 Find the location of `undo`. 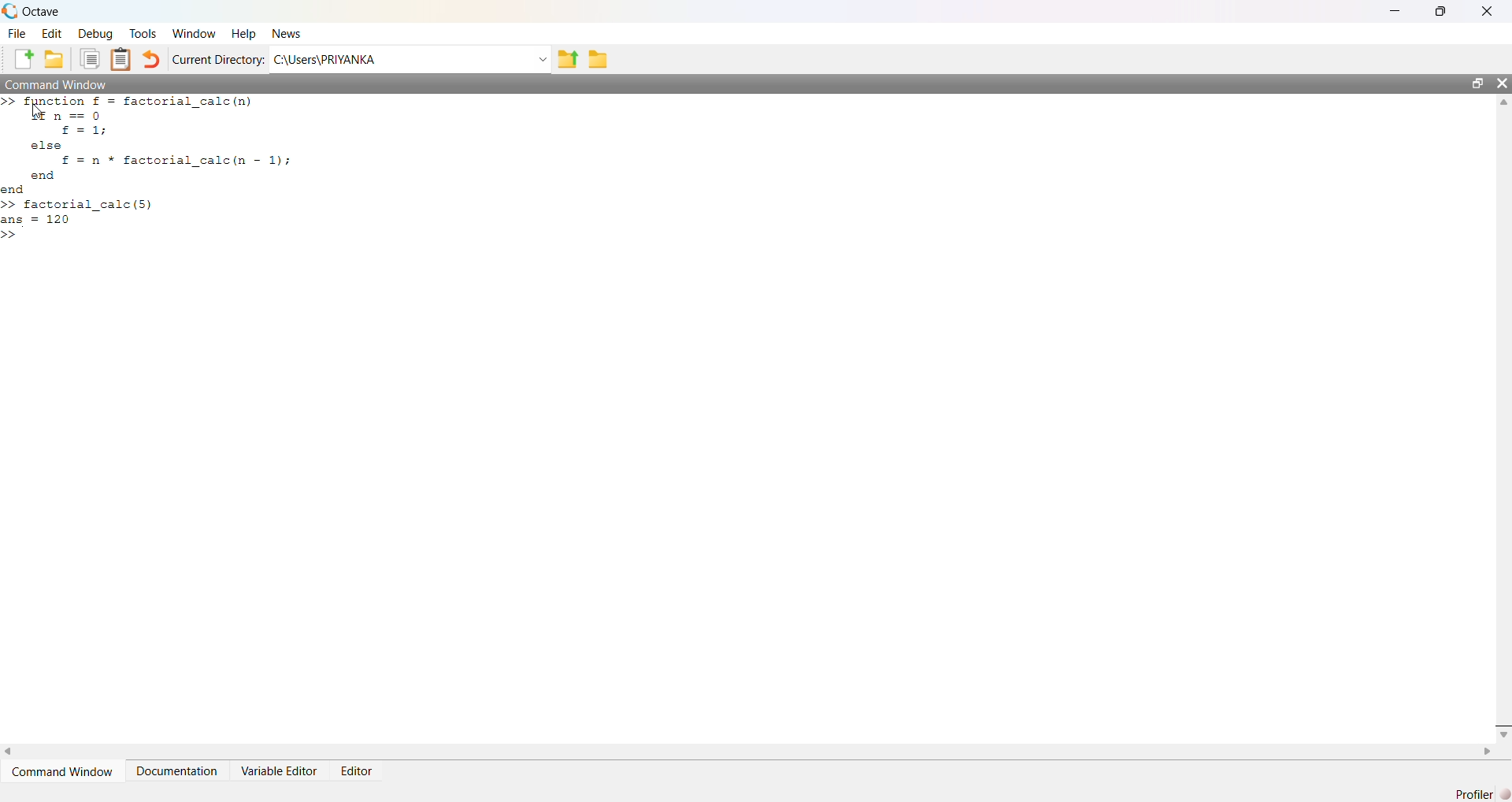

undo is located at coordinates (151, 60).